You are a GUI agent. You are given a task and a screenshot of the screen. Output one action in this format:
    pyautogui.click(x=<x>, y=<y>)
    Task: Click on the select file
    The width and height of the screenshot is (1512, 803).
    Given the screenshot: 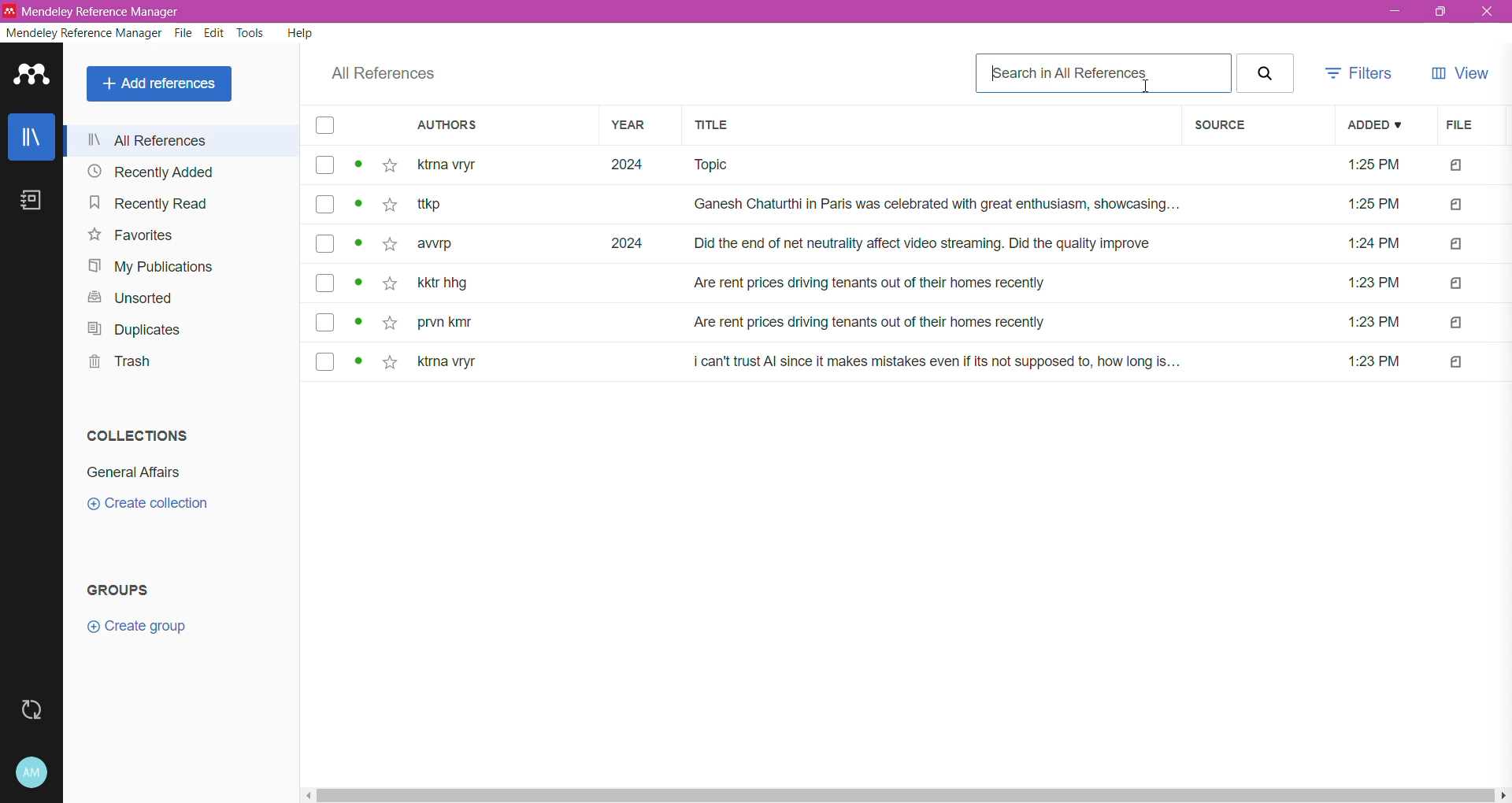 What is the action you would take?
    pyautogui.click(x=324, y=242)
    